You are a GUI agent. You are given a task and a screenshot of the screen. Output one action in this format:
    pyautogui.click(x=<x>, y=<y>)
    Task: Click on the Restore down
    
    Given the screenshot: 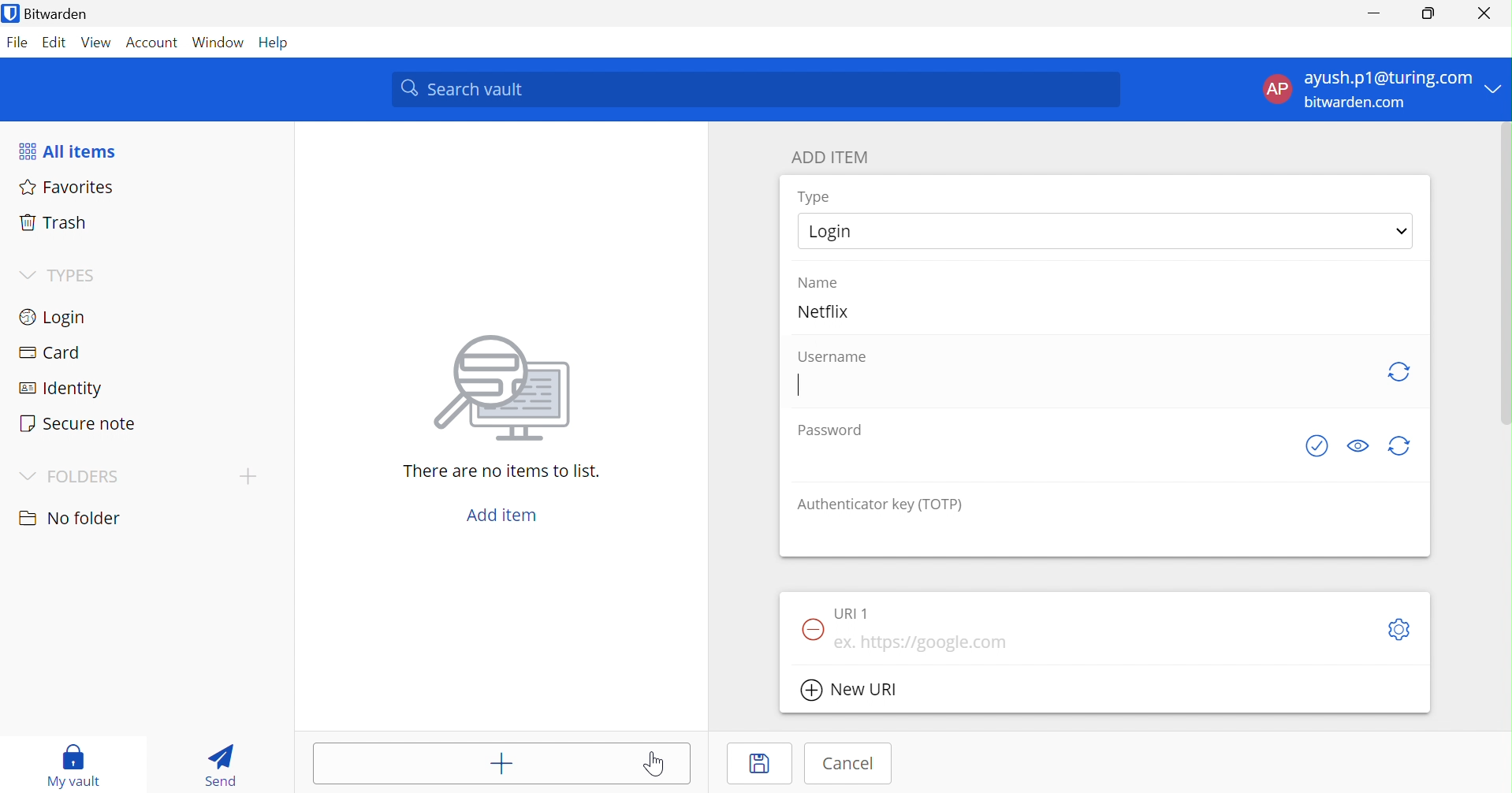 What is the action you would take?
    pyautogui.click(x=1431, y=14)
    